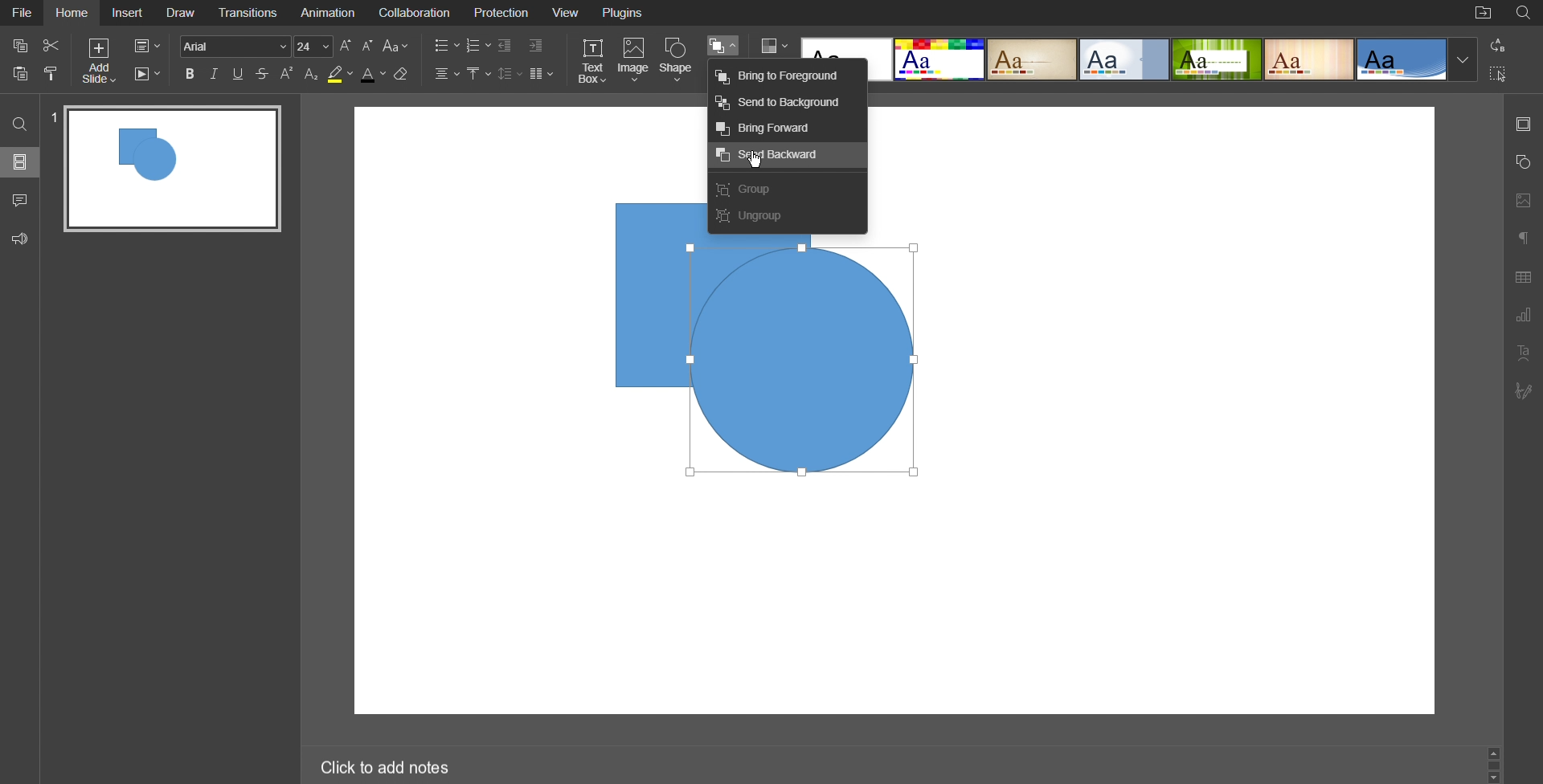 Image resolution: width=1543 pixels, height=784 pixels. I want to click on Subscript, so click(313, 75).